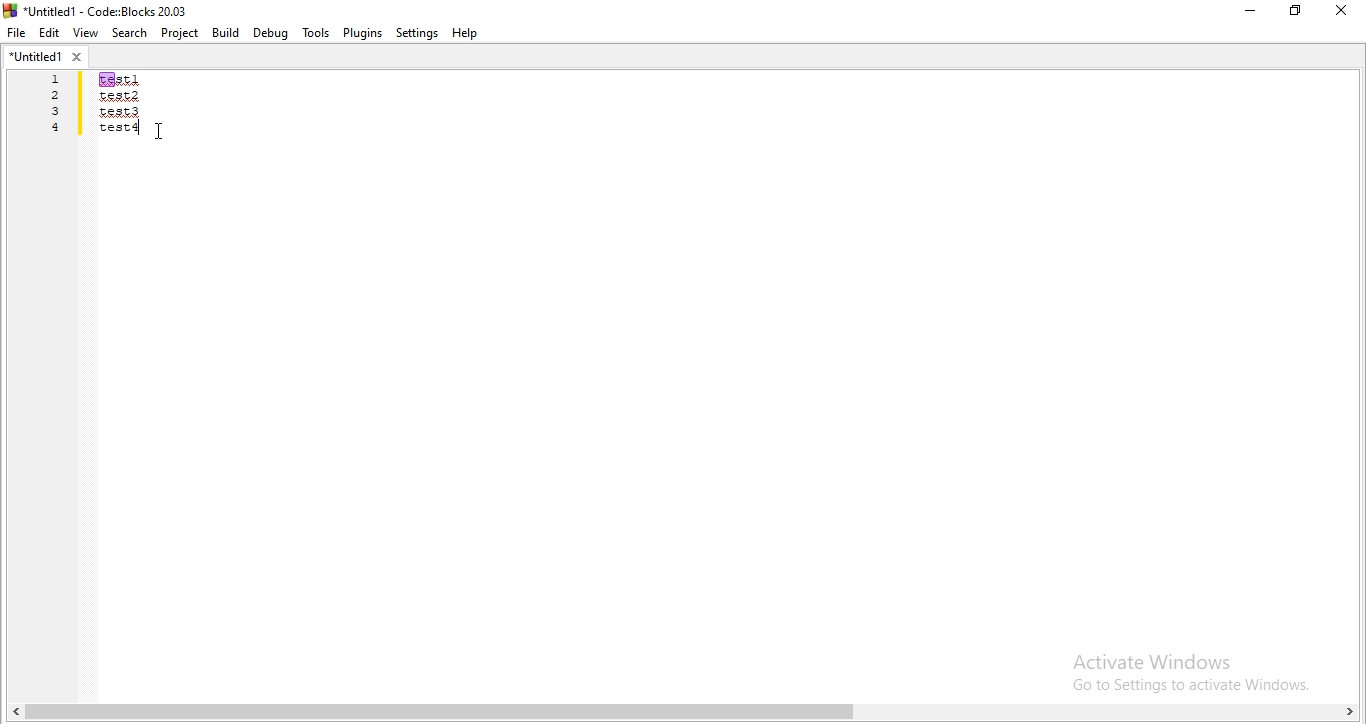 The width and height of the screenshot is (1366, 724). I want to click on Help, so click(469, 35).